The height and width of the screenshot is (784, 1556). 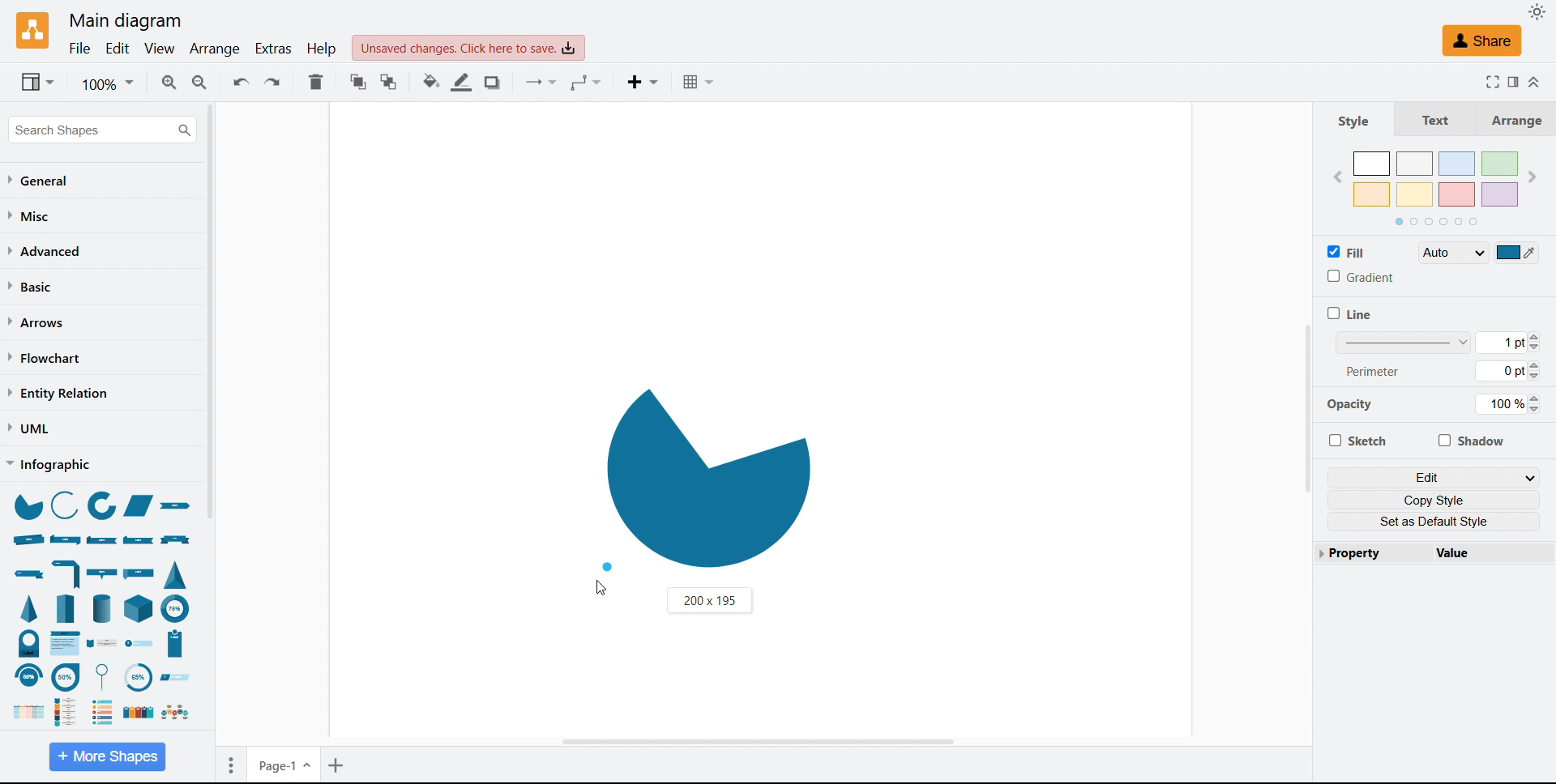 I want to click on Cursor , so click(x=601, y=589).